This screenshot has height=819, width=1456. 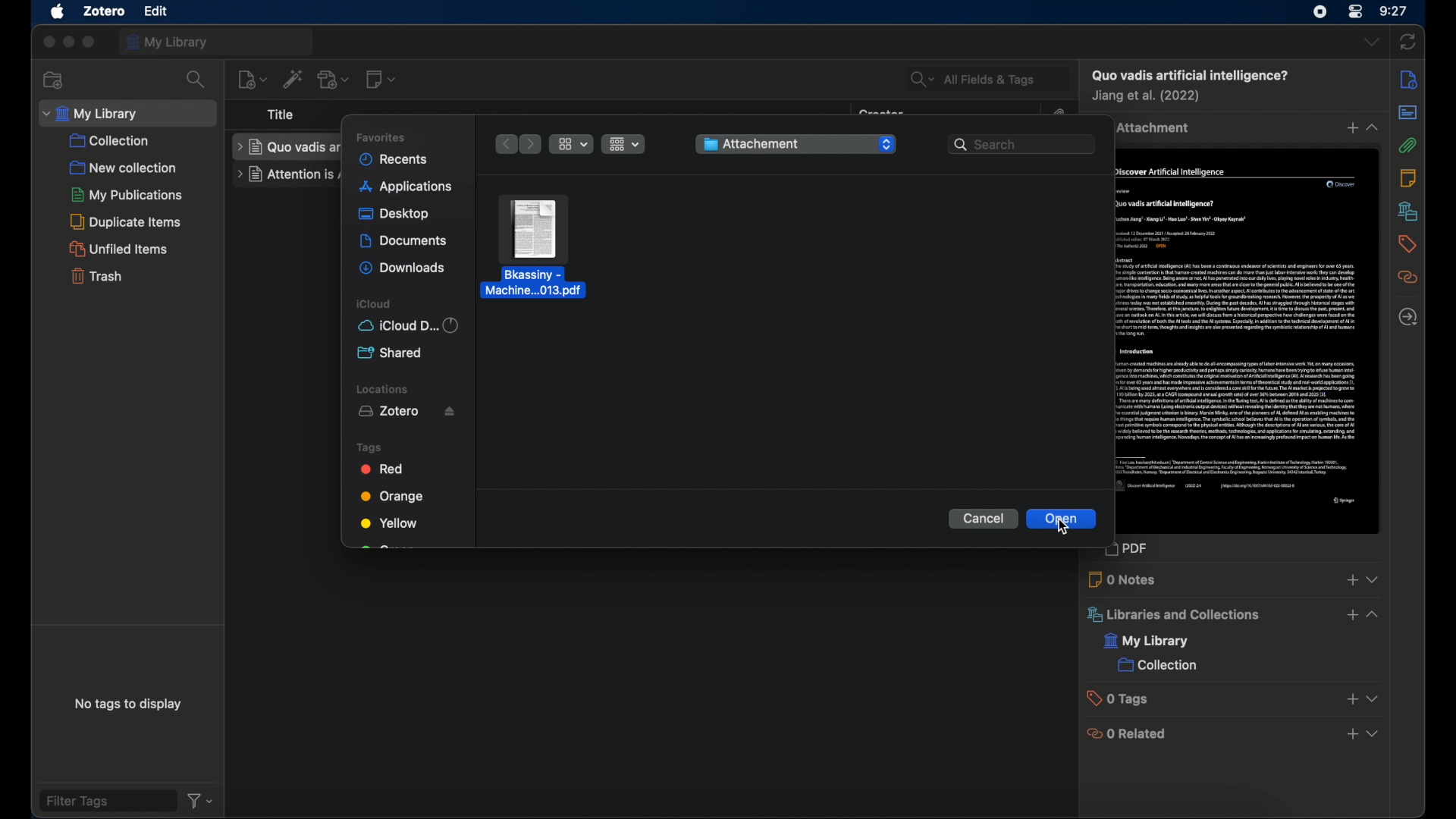 What do you see at coordinates (1406, 243) in the screenshot?
I see `tags` at bounding box center [1406, 243].